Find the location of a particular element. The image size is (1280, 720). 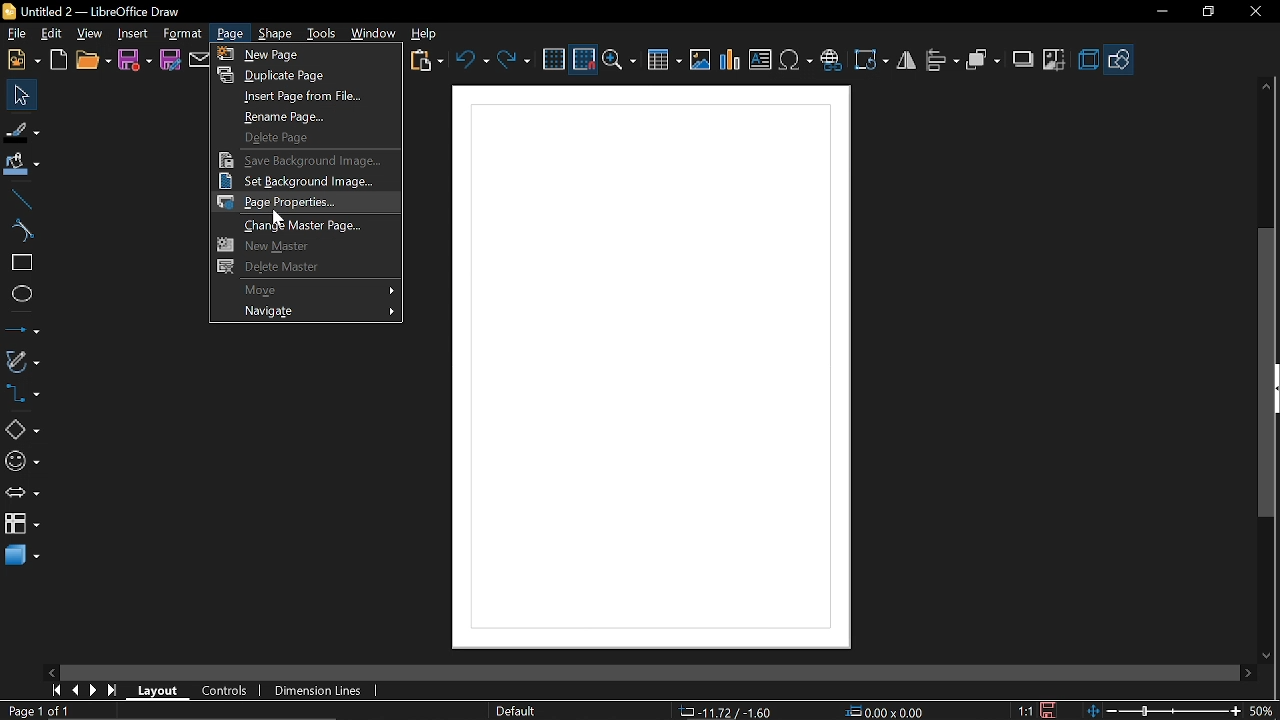

Shape is located at coordinates (274, 33).